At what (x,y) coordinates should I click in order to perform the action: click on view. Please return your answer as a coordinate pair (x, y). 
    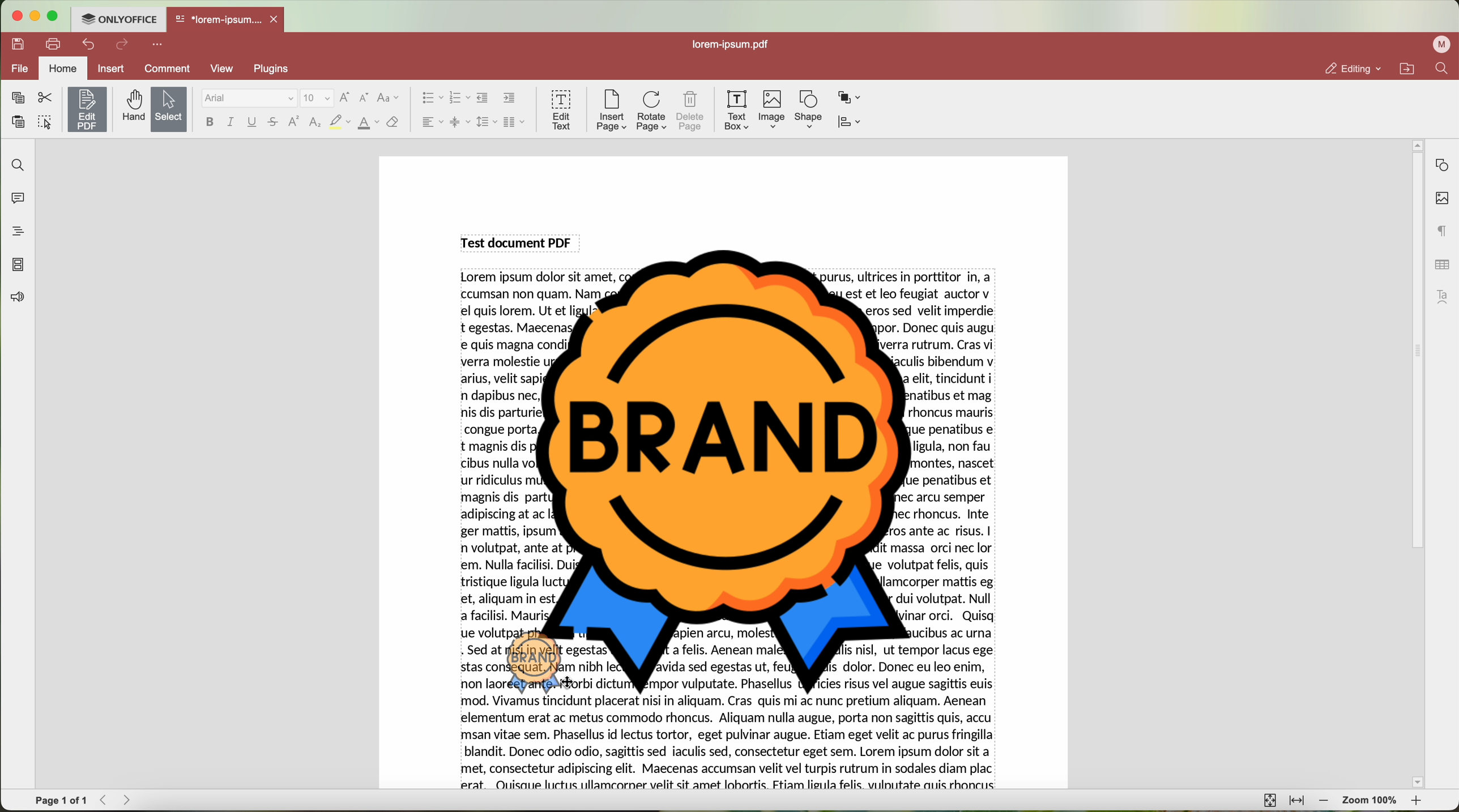
    Looking at the image, I should click on (226, 69).